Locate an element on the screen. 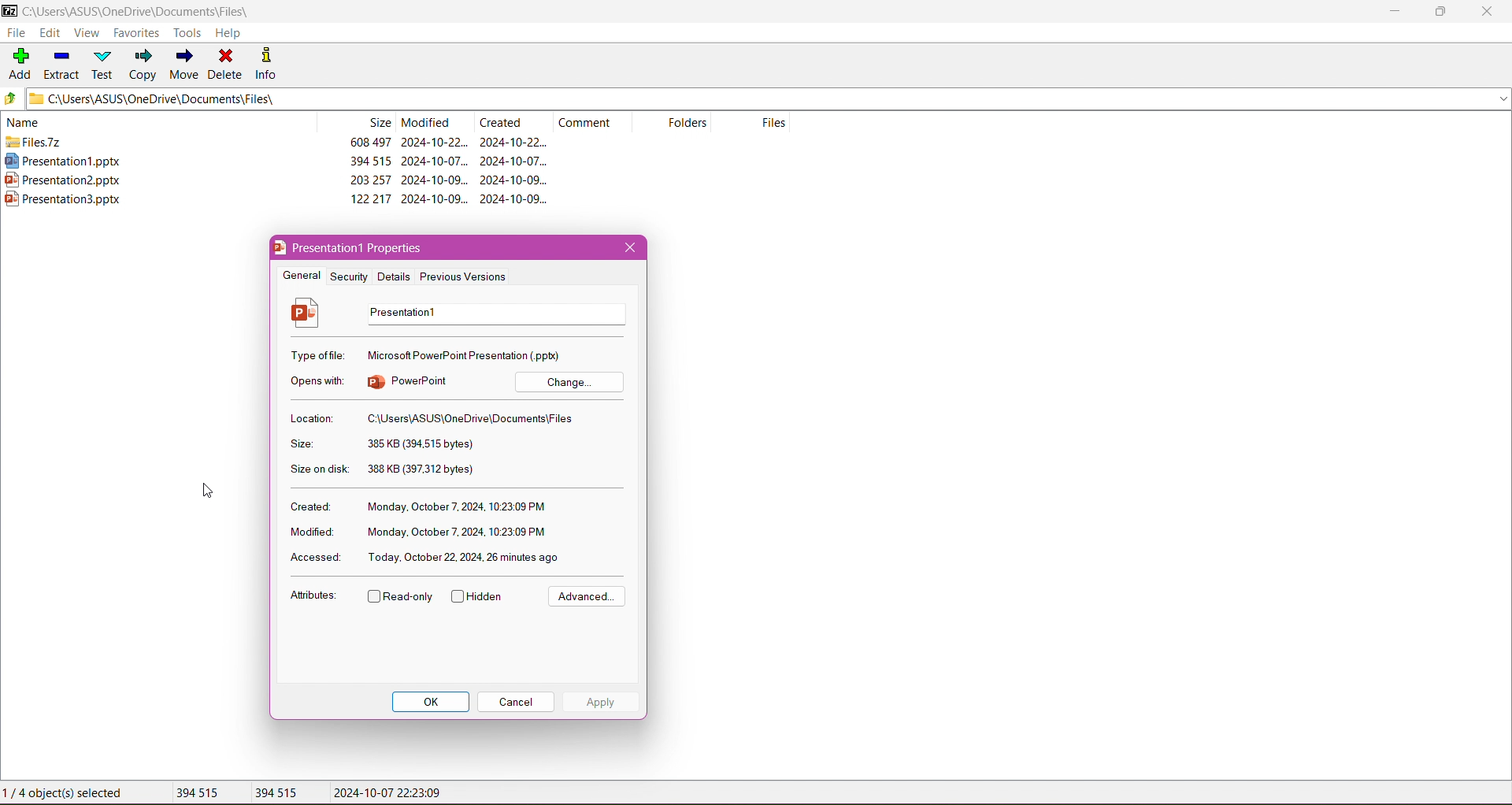  Extract is located at coordinates (59, 65).